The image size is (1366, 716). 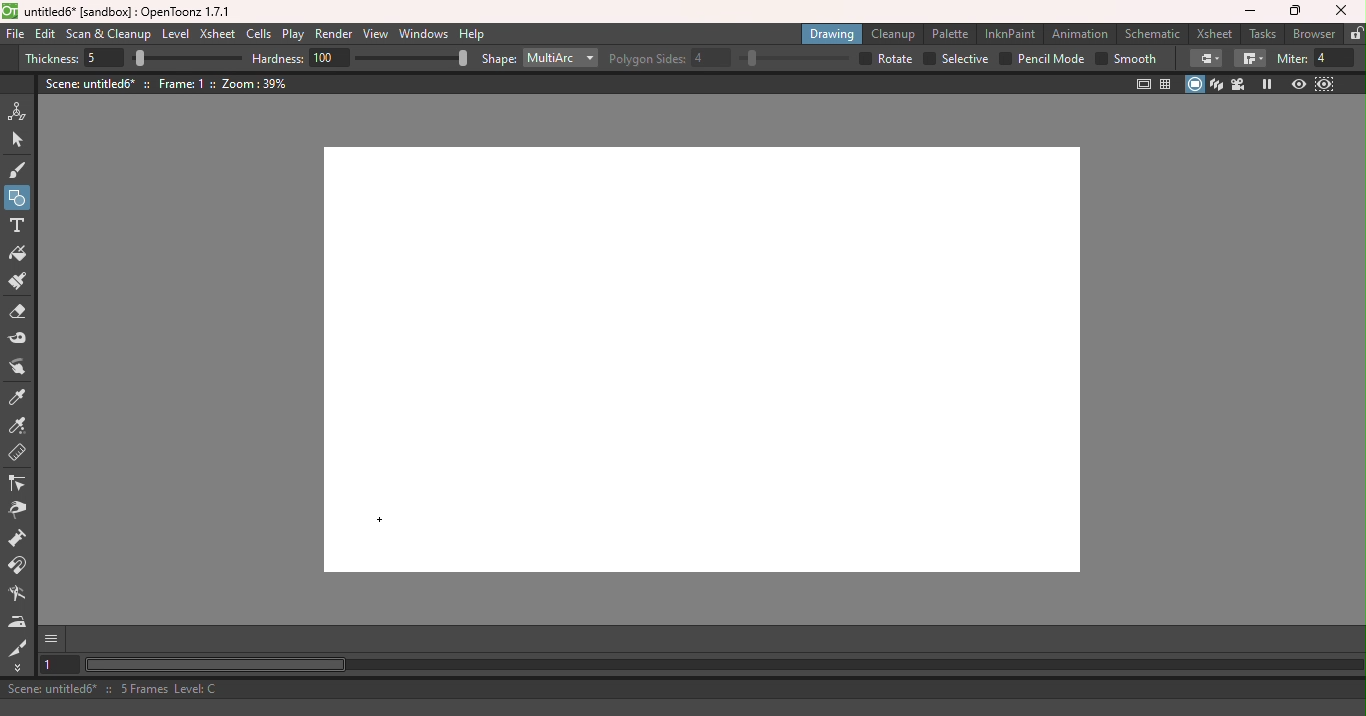 I want to click on Pump tool, so click(x=20, y=539).